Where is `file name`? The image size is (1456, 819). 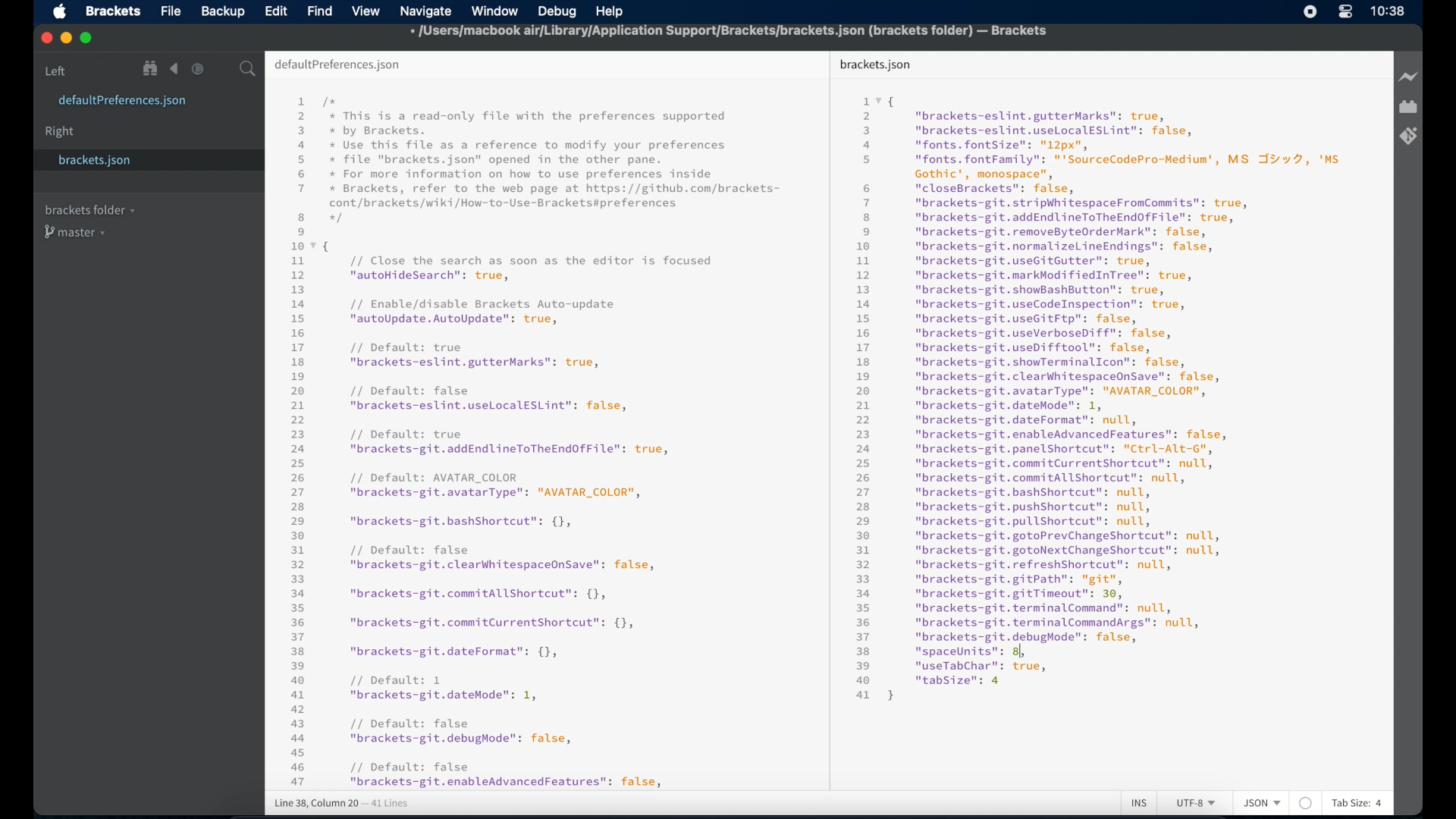 file name is located at coordinates (730, 30).